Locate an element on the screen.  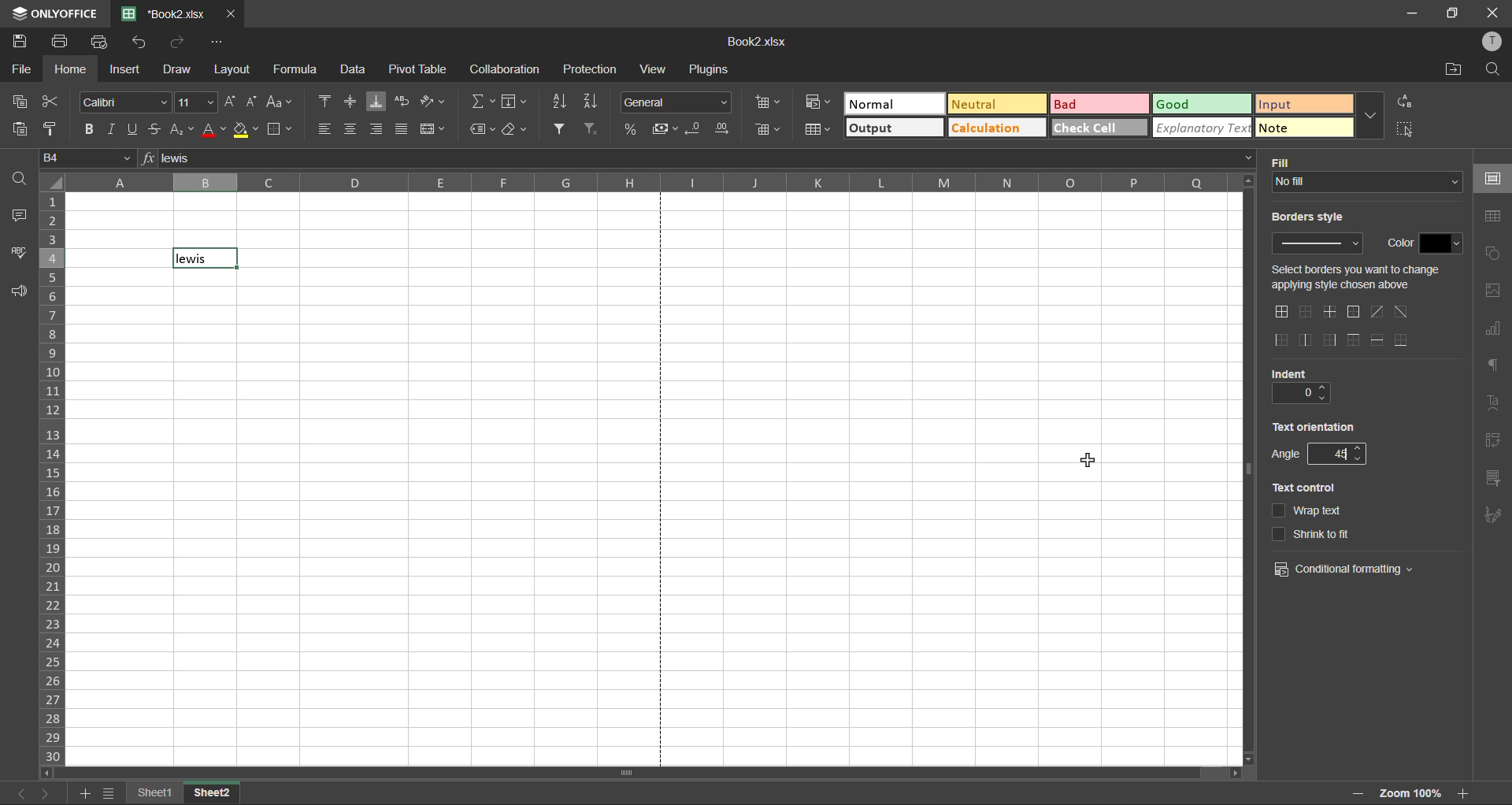
change angle is located at coordinates (1328, 453).